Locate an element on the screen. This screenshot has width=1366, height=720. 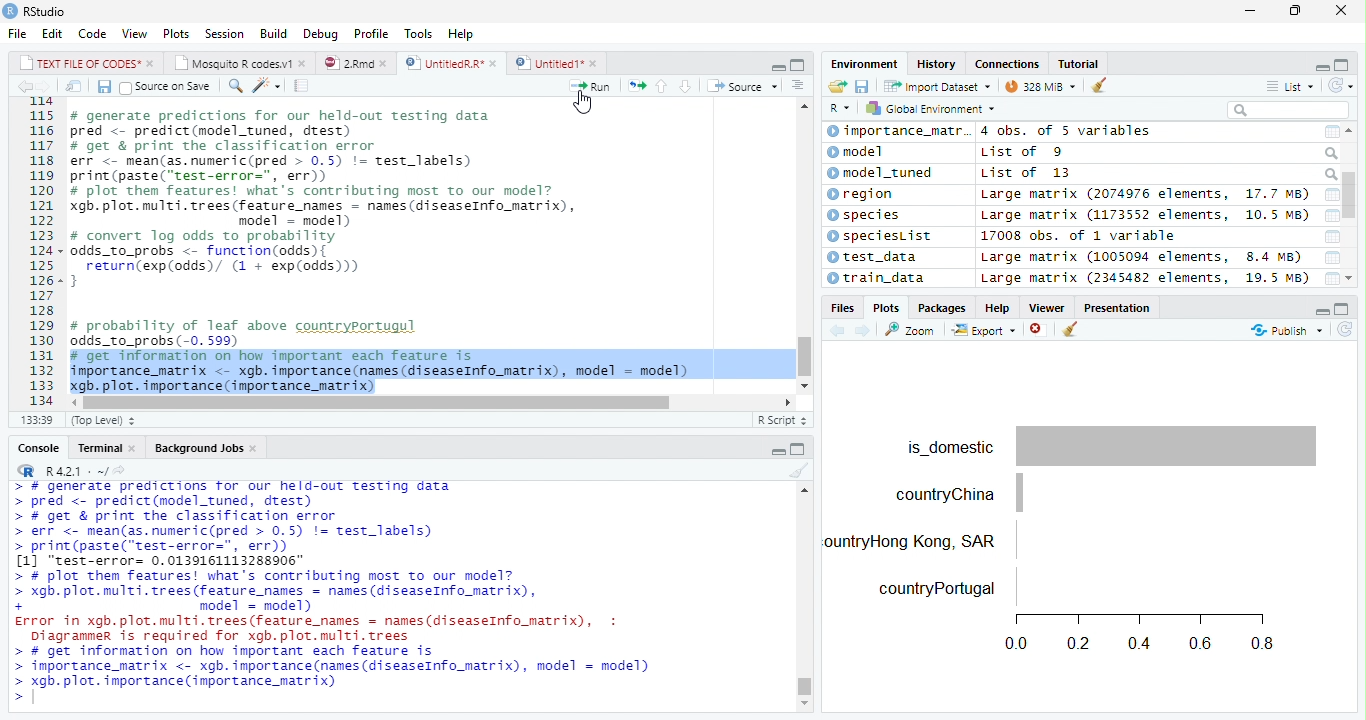
Row Number is located at coordinates (35, 253).